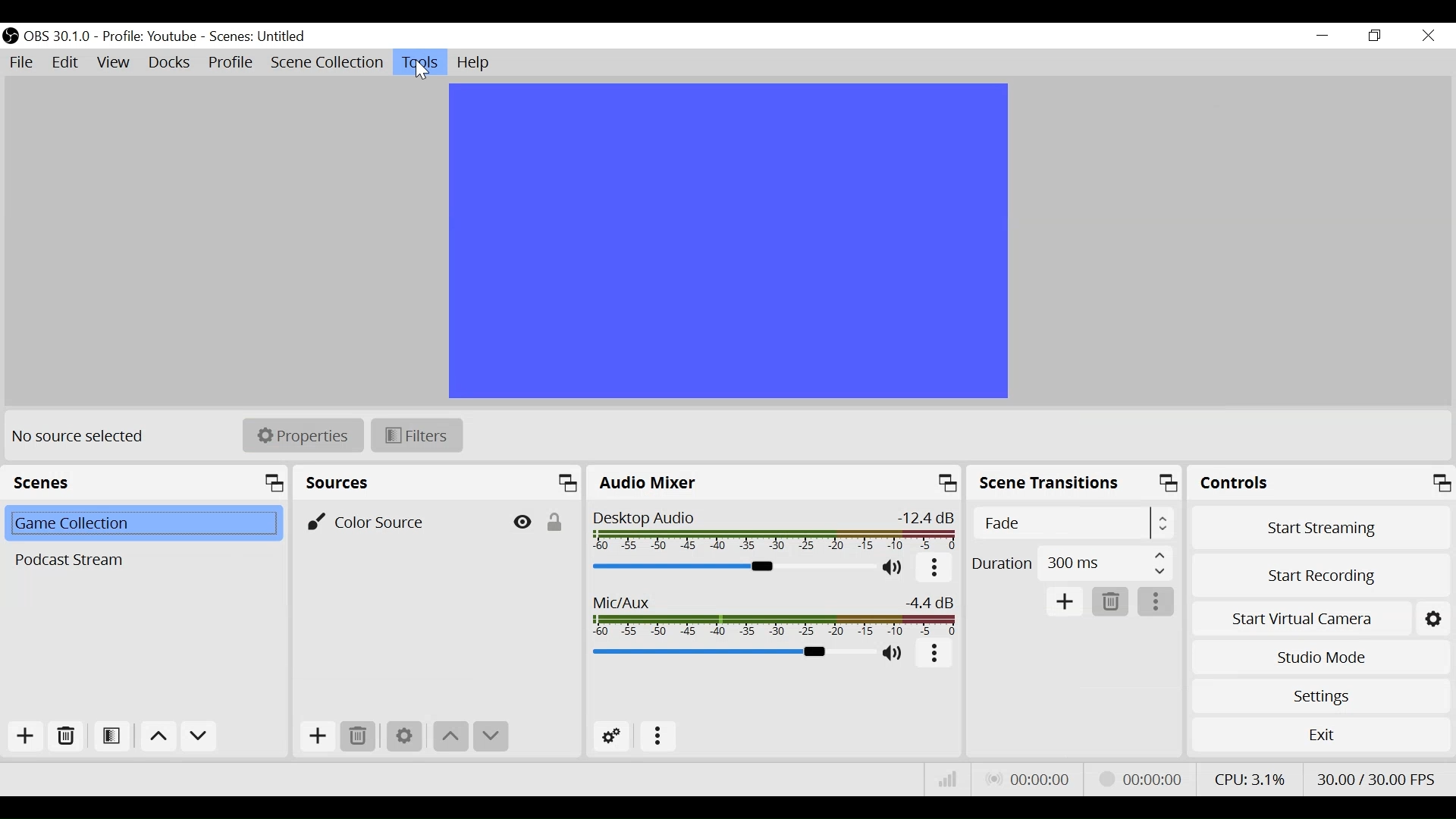 The width and height of the screenshot is (1456, 819). What do you see at coordinates (1300, 617) in the screenshot?
I see `Start Virtual Camera` at bounding box center [1300, 617].